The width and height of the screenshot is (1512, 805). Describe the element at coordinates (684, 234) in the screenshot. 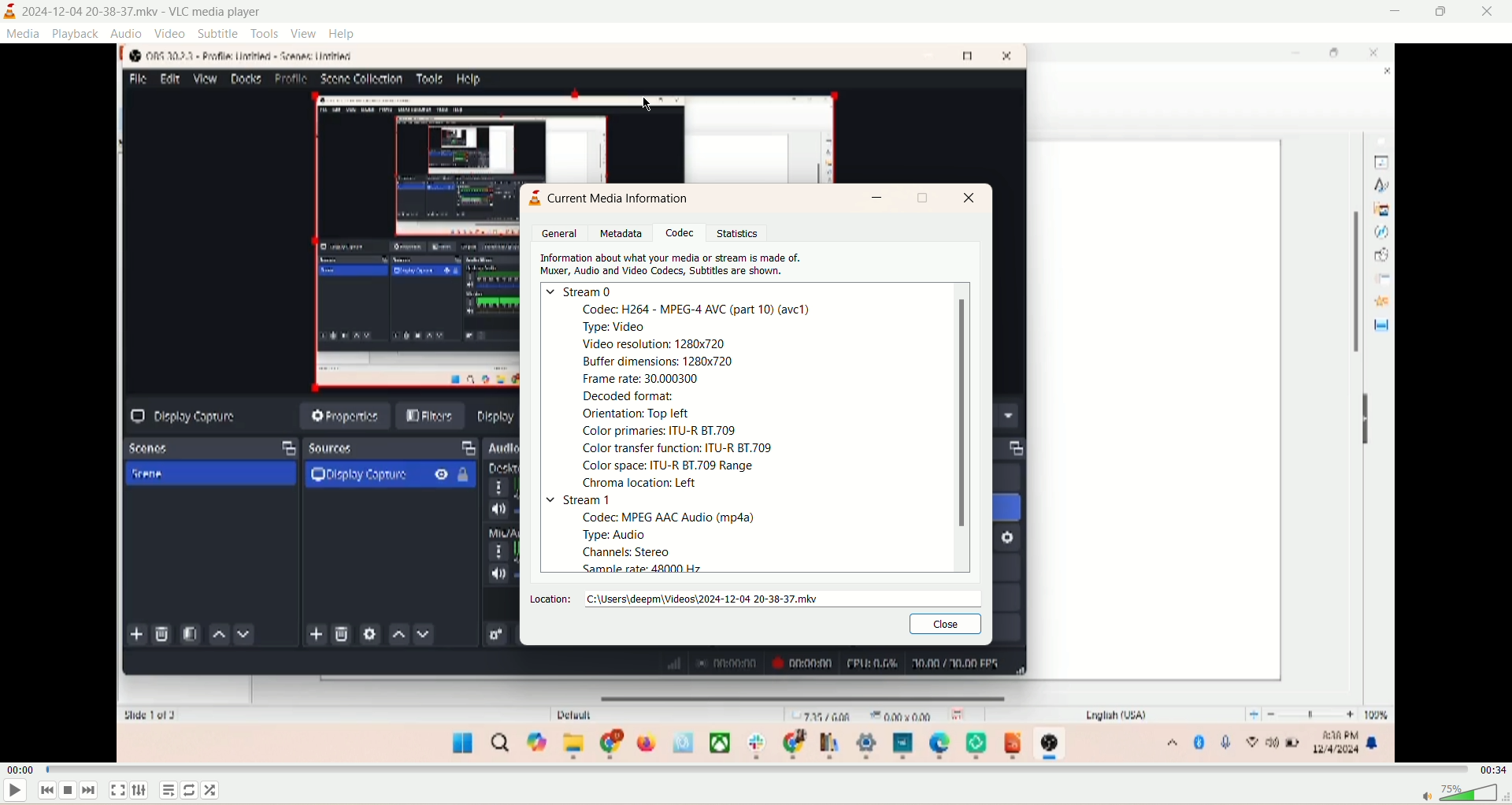

I see `codec` at that location.